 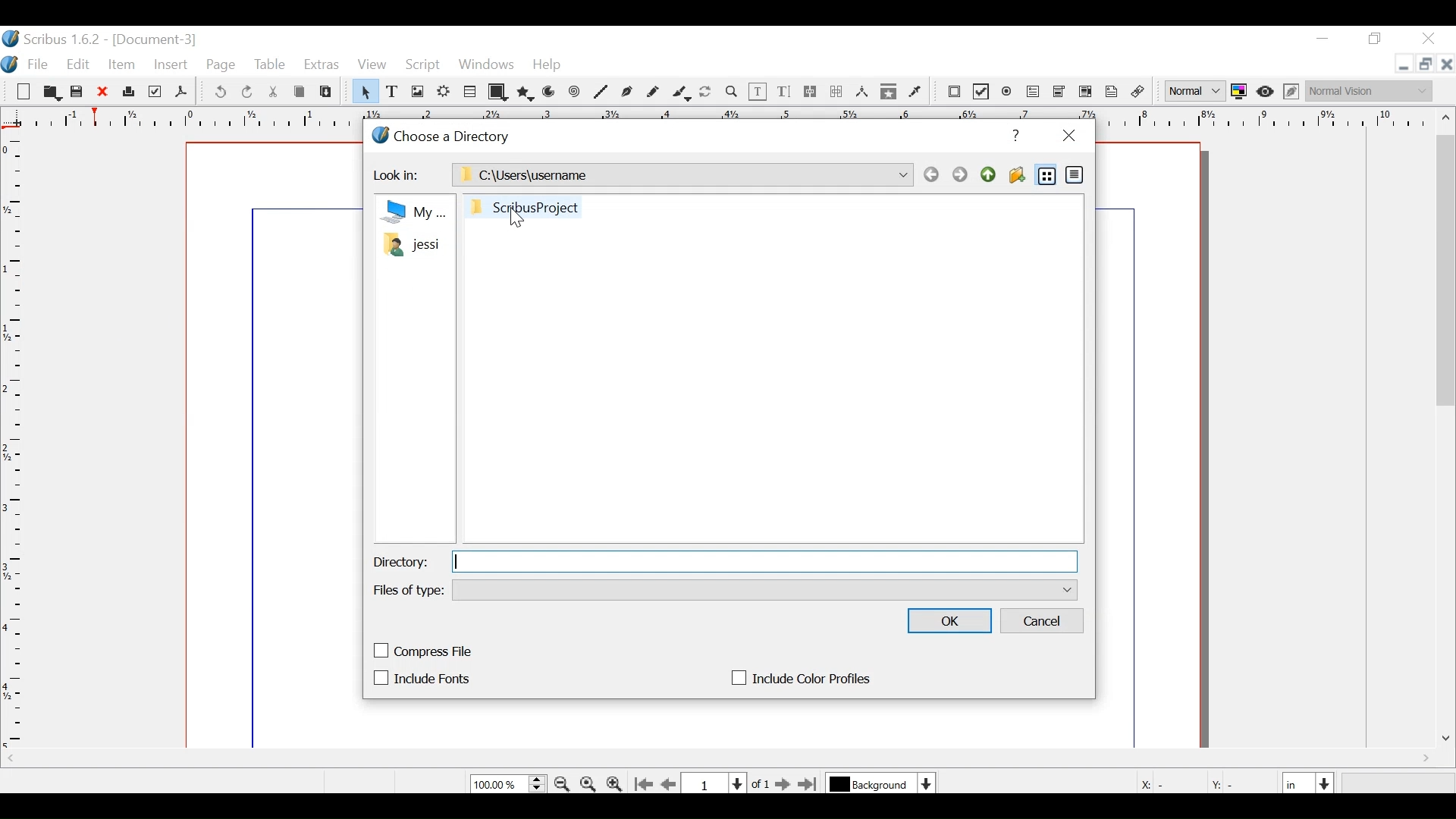 What do you see at coordinates (37, 66) in the screenshot?
I see `File` at bounding box center [37, 66].